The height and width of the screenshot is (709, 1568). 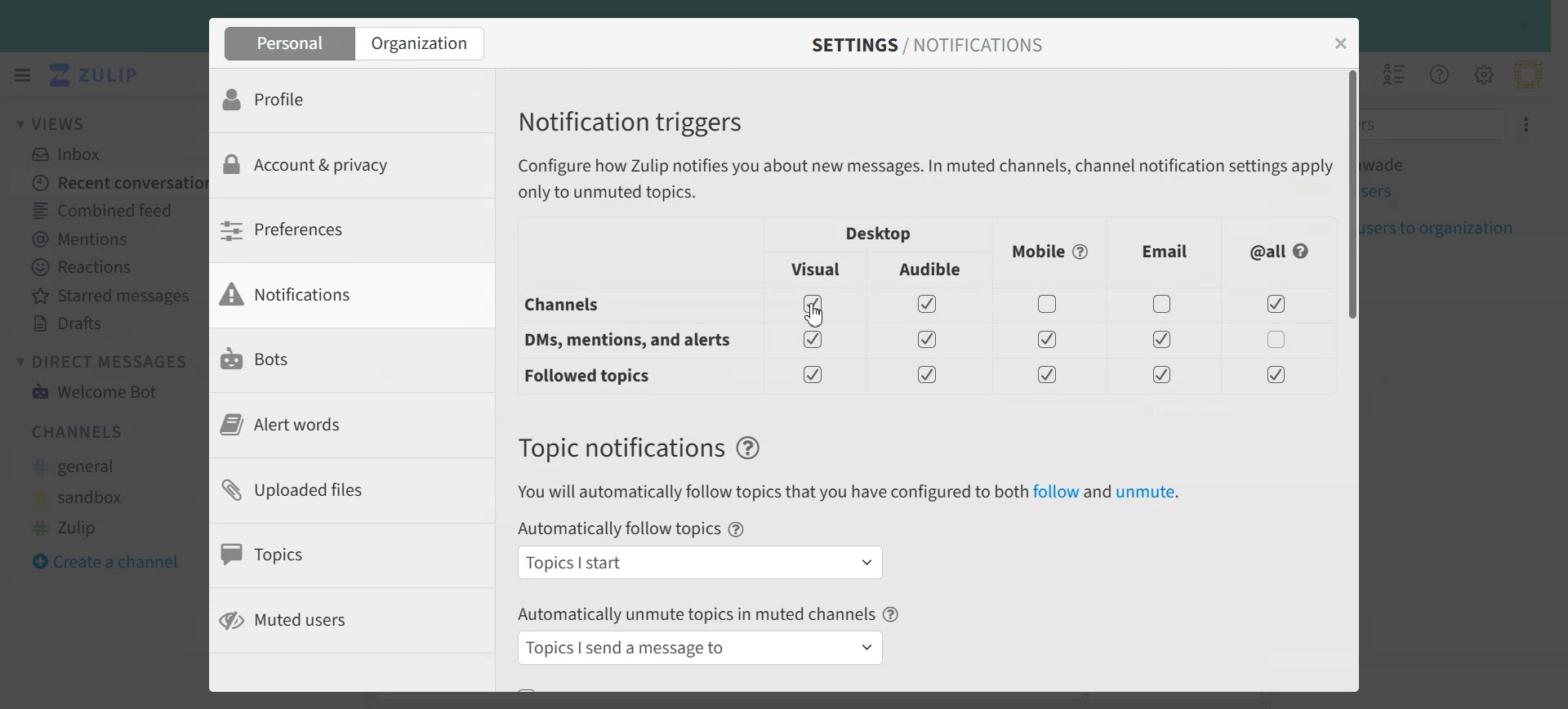 What do you see at coordinates (95, 390) in the screenshot?
I see `Welcome Bot` at bounding box center [95, 390].